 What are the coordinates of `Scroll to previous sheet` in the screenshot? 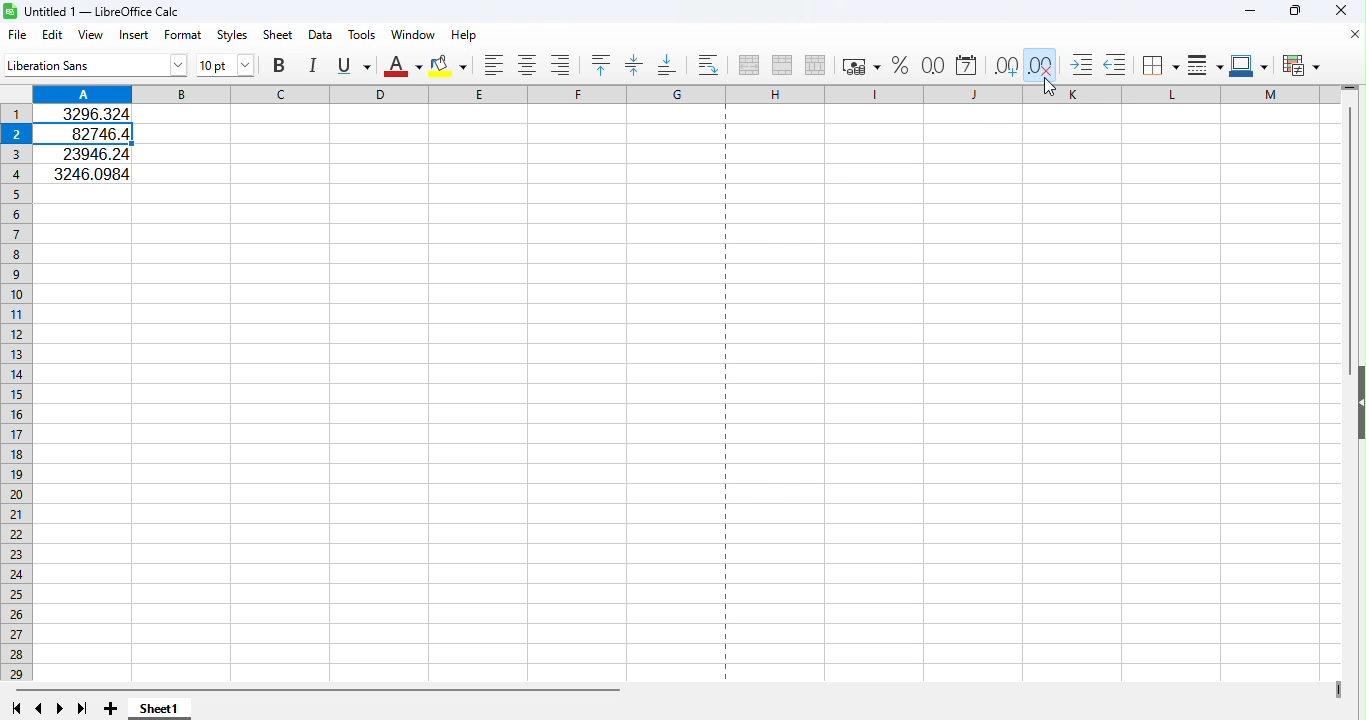 It's located at (38, 709).